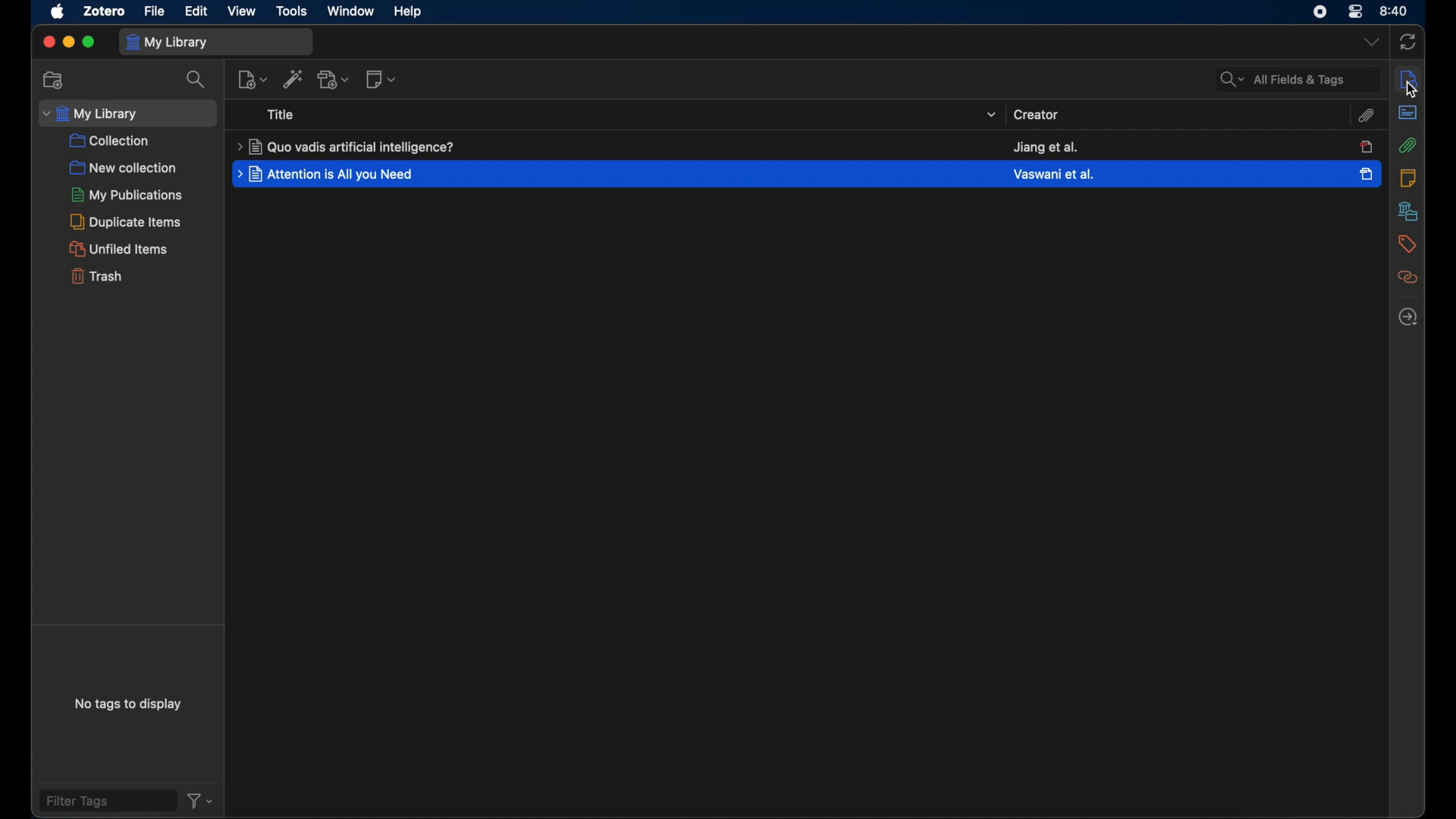 Image resolution: width=1456 pixels, height=819 pixels. Describe the element at coordinates (1322, 11) in the screenshot. I see `screen recorder` at that location.